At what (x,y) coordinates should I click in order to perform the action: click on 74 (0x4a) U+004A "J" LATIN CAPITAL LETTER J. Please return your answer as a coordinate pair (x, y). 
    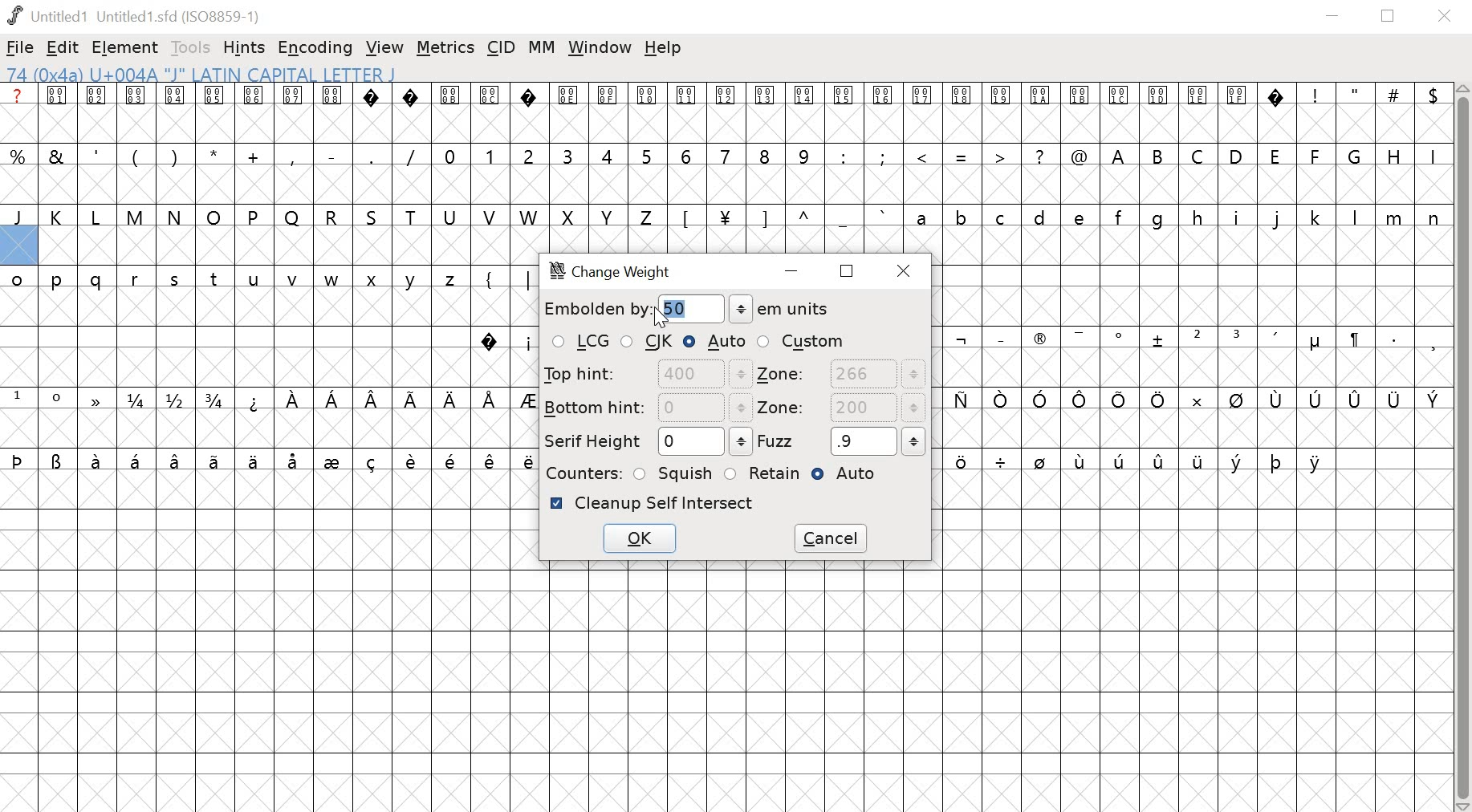
    Looking at the image, I should click on (303, 74).